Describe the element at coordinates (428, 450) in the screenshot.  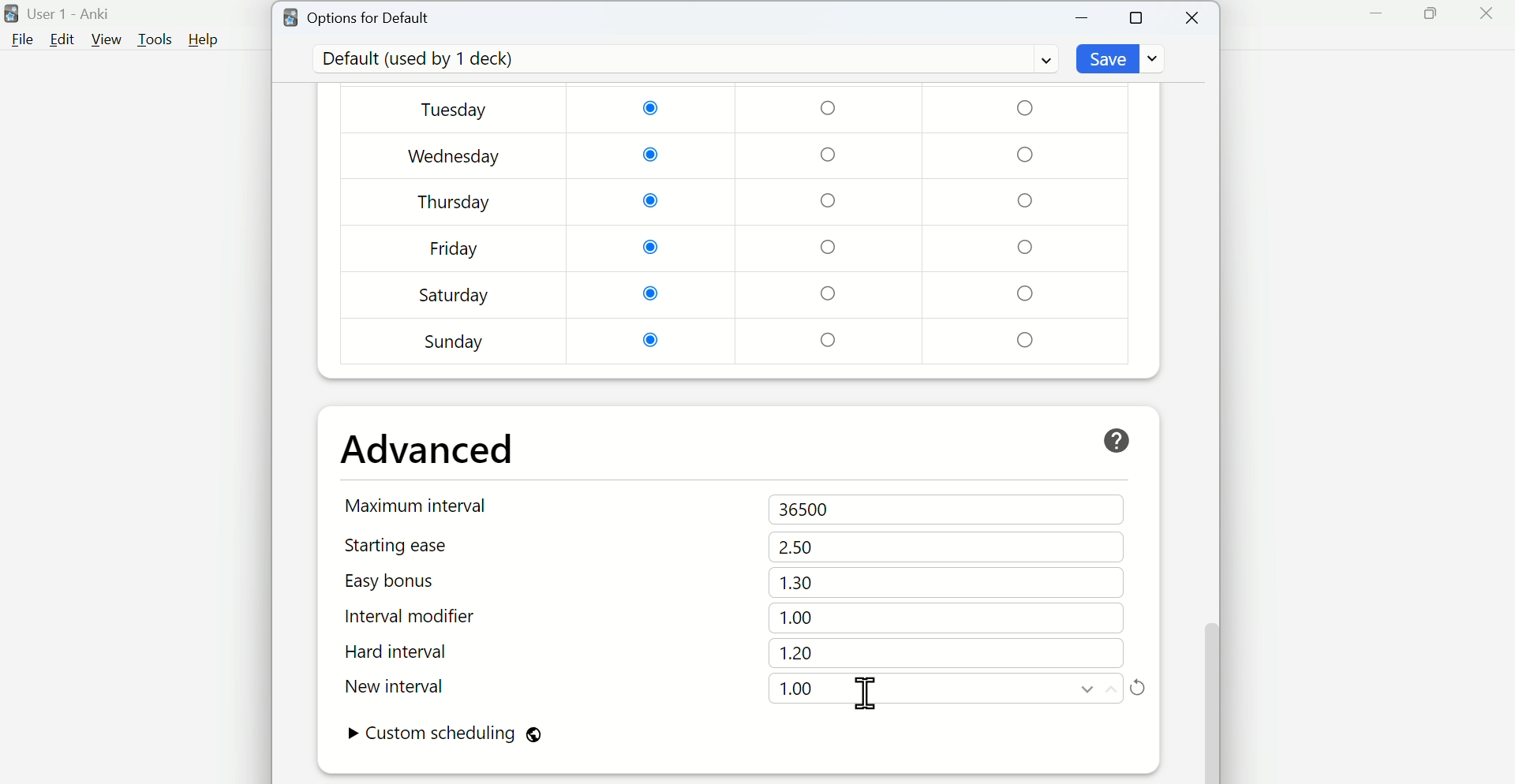
I see `Advanced` at that location.